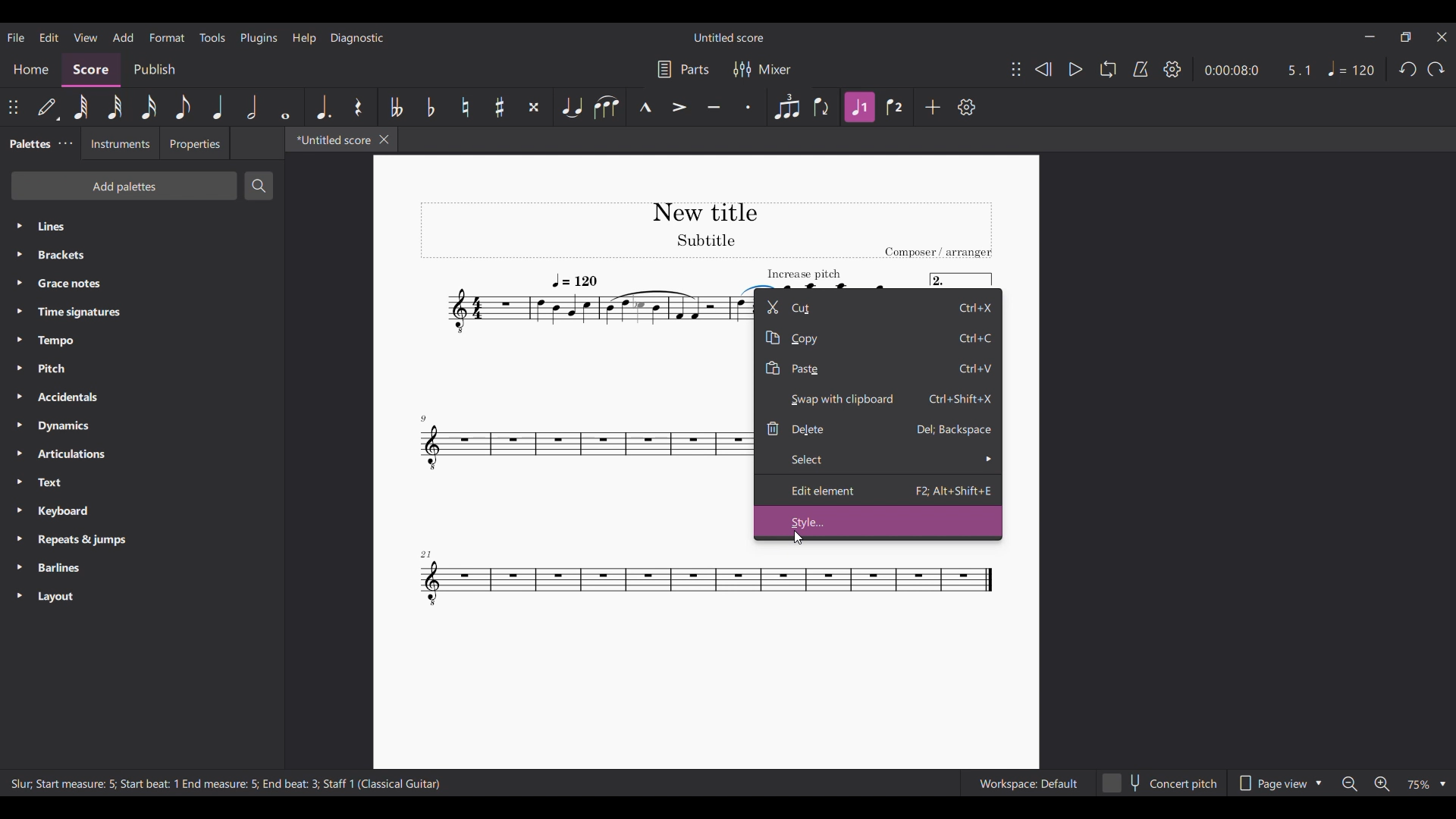 The image size is (1456, 819). What do you see at coordinates (115, 108) in the screenshot?
I see `32nd note` at bounding box center [115, 108].